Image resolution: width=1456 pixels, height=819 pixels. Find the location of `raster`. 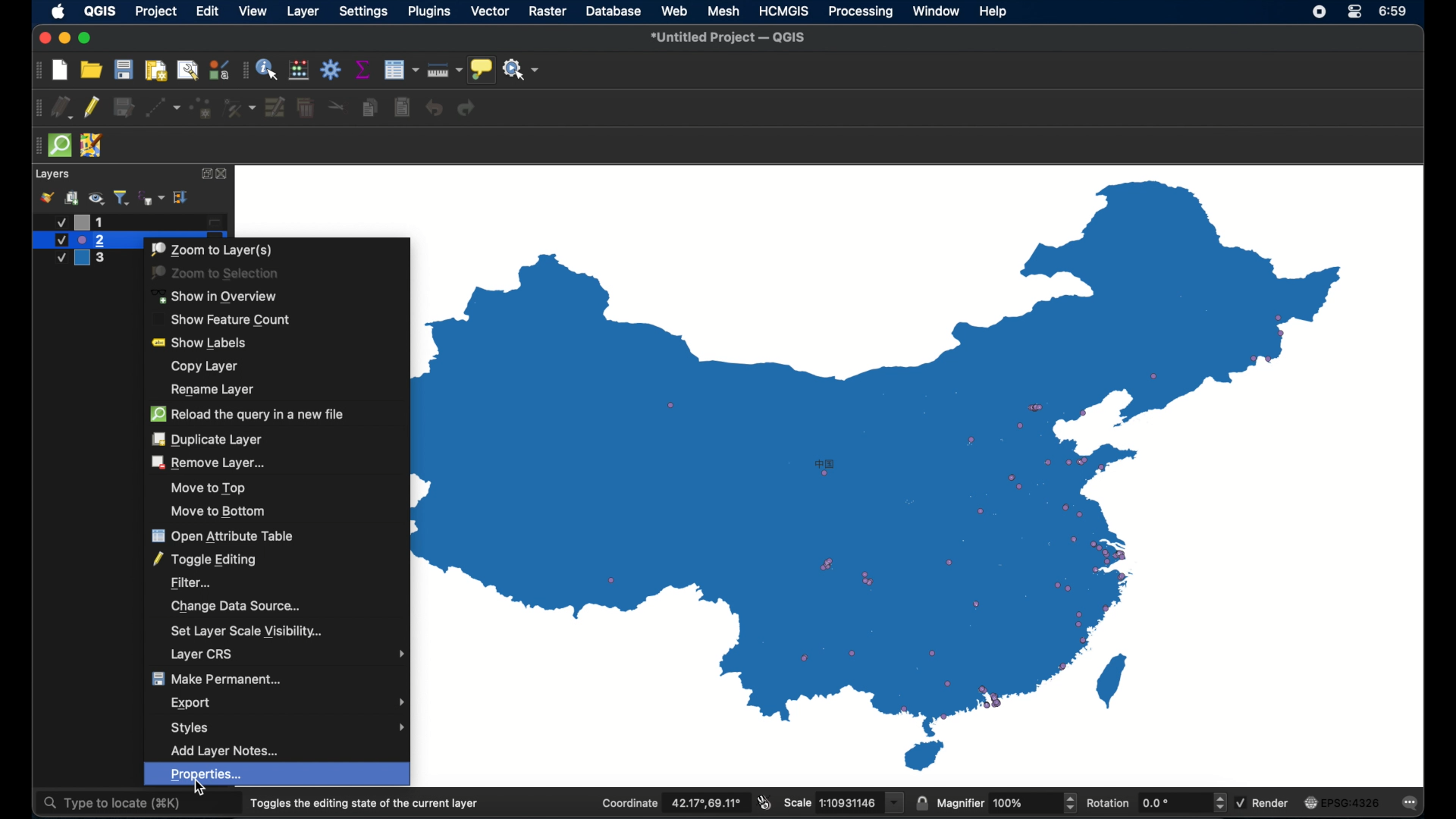

raster is located at coordinates (548, 11).